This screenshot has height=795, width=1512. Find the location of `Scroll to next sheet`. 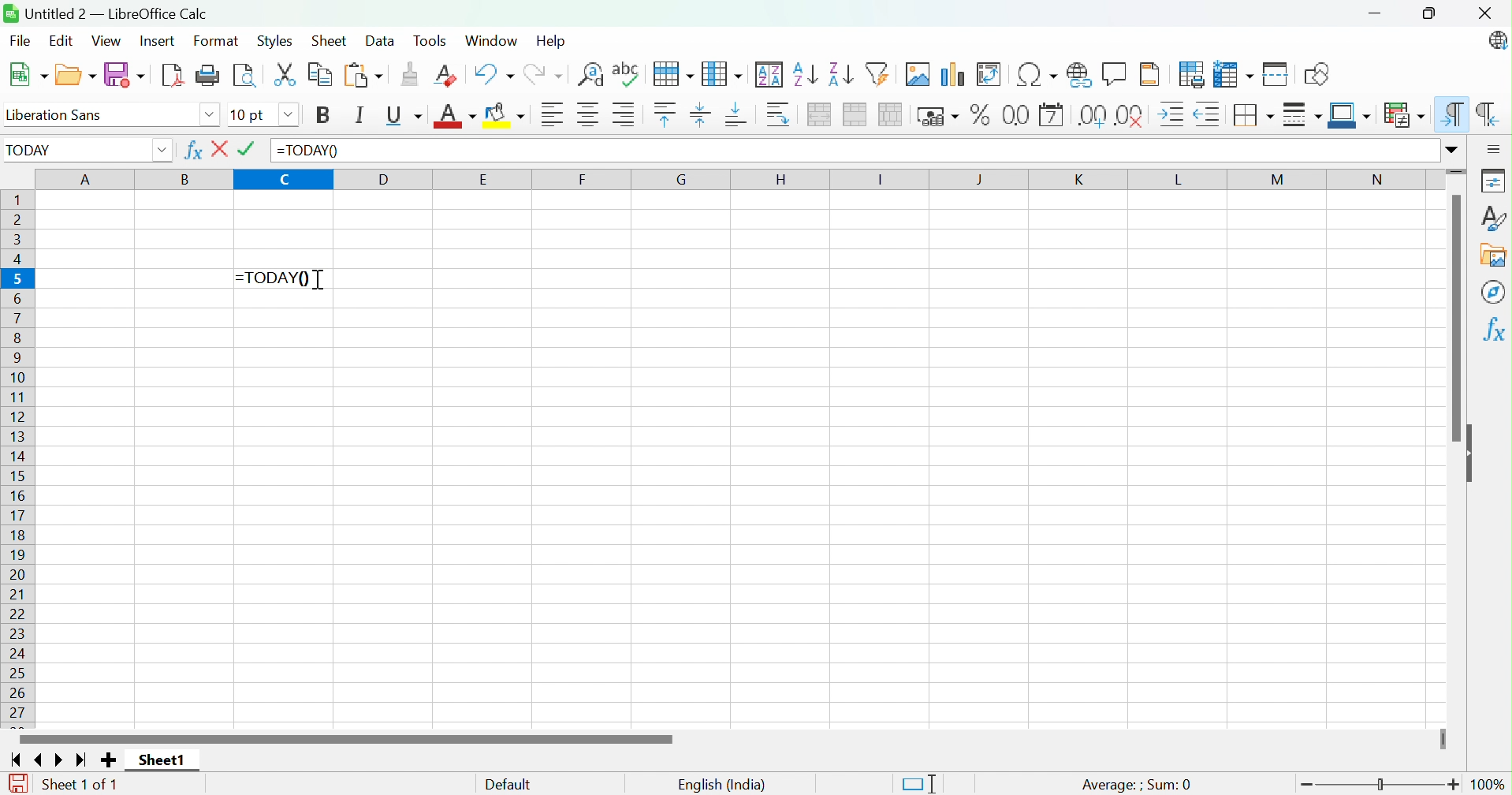

Scroll to next sheet is located at coordinates (61, 760).